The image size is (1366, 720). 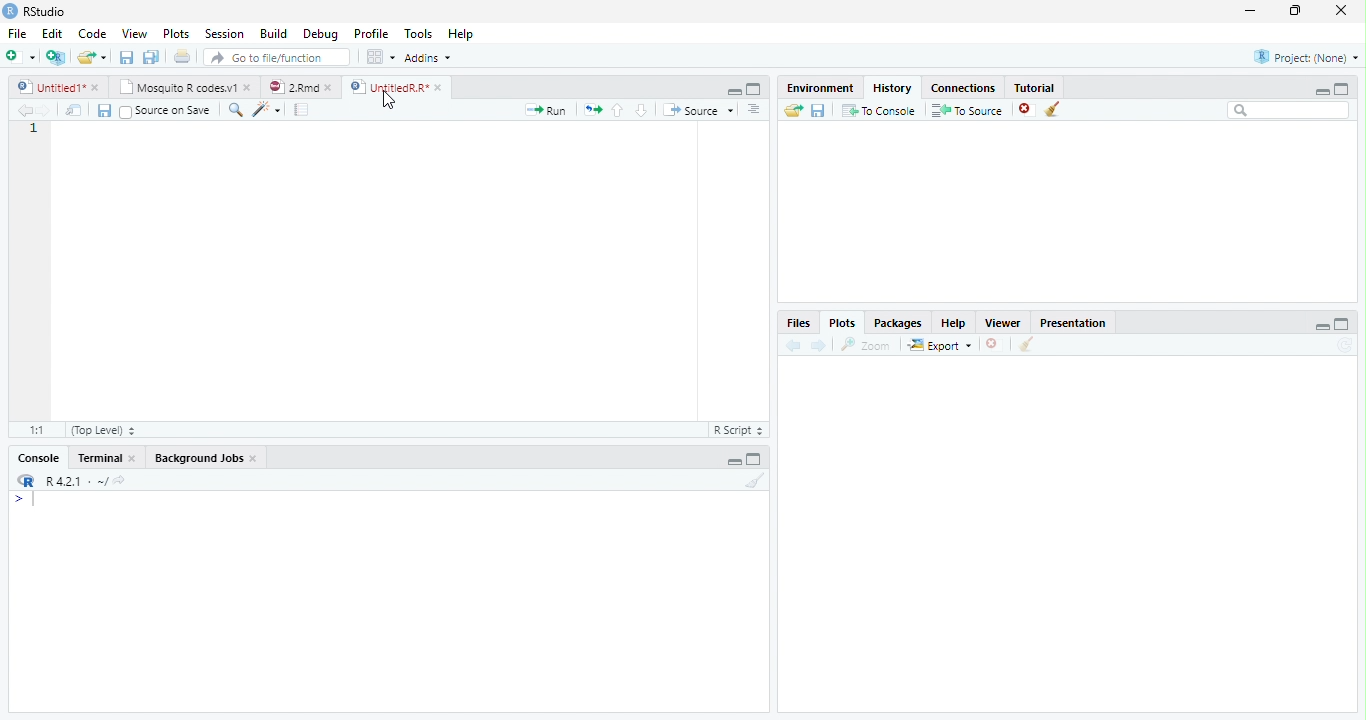 What do you see at coordinates (184, 58) in the screenshot?
I see `Print` at bounding box center [184, 58].